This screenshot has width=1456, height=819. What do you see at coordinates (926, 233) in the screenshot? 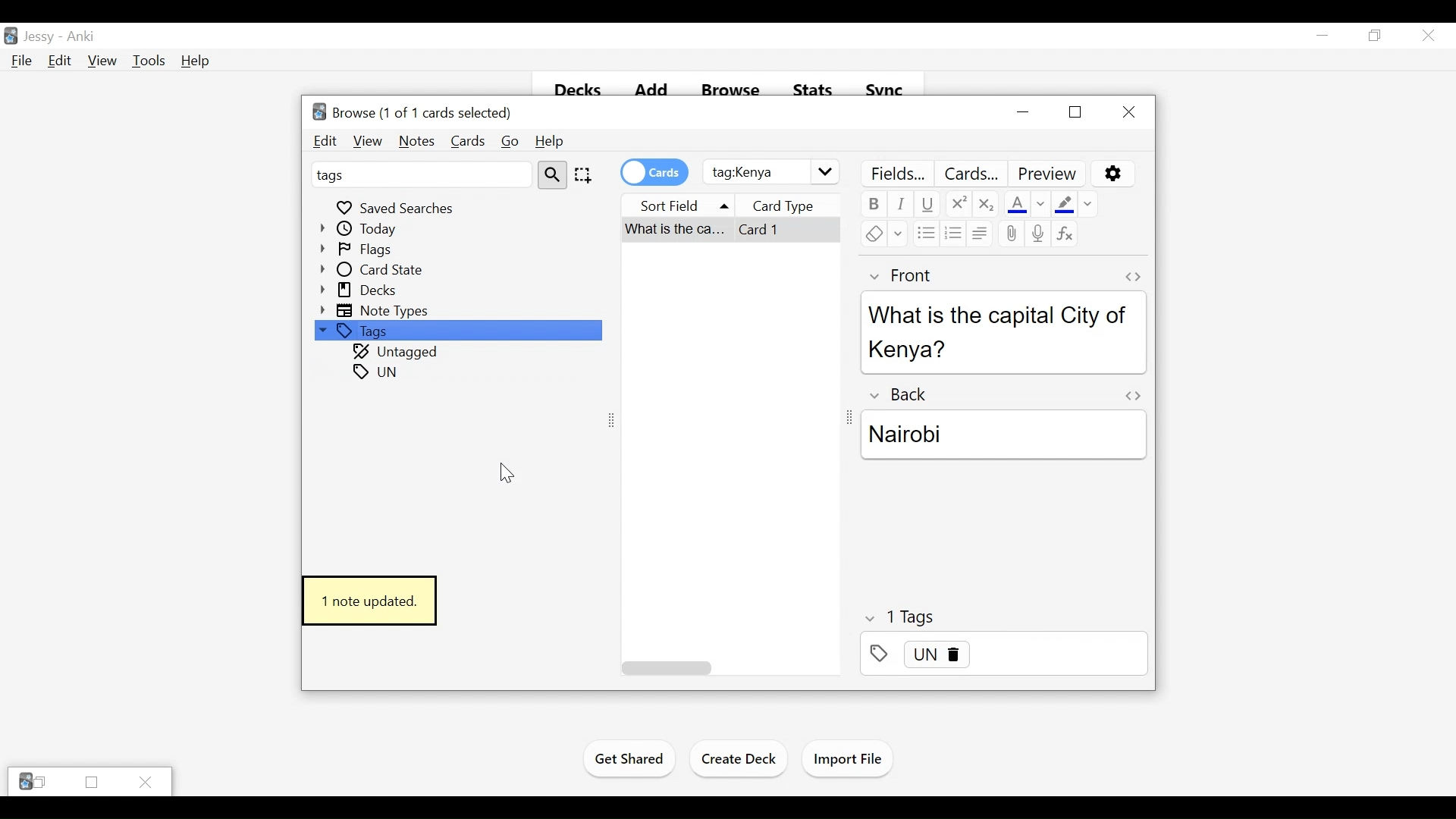
I see `Unordered list` at bounding box center [926, 233].